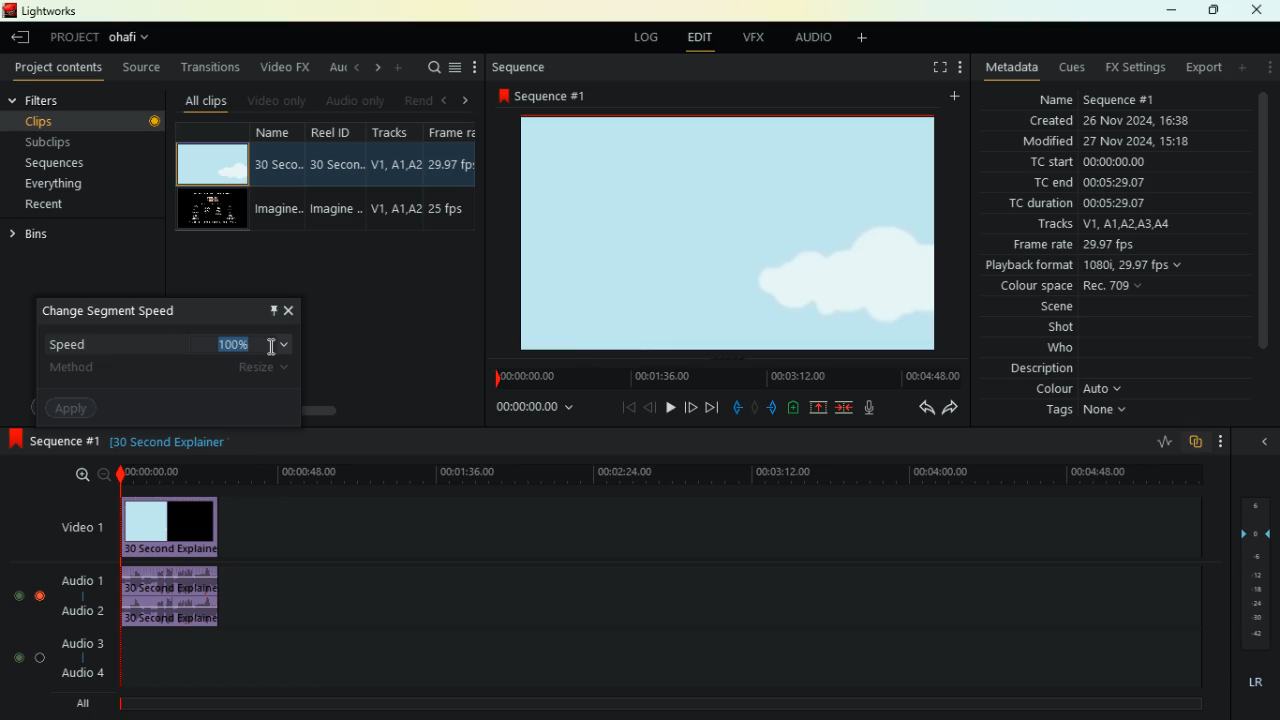 The image size is (1280, 720). Describe the element at coordinates (76, 410) in the screenshot. I see `apply` at that location.